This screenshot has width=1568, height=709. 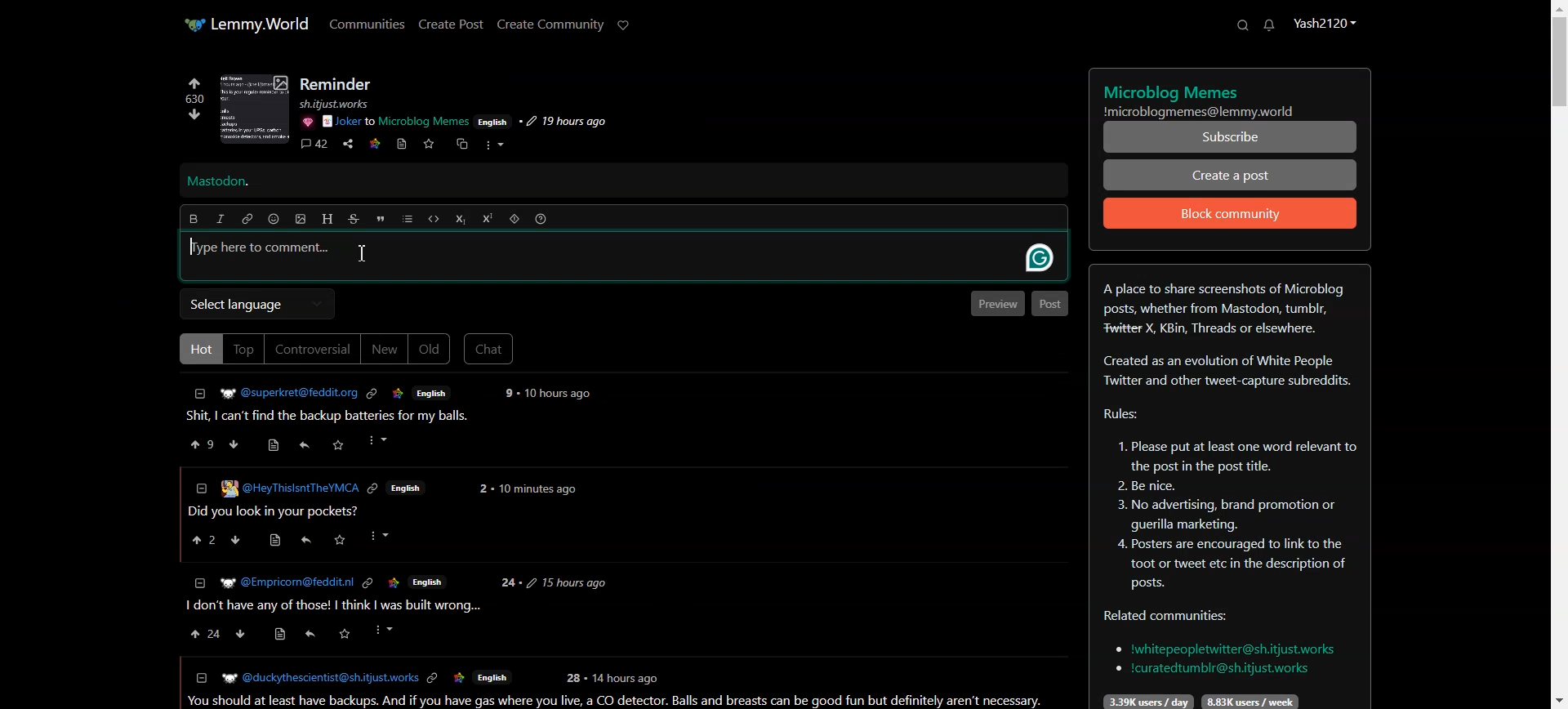 What do you see at coordinates (246, 24) in the screenshot?
I see `Home Page` at bounding box center [246, 24].